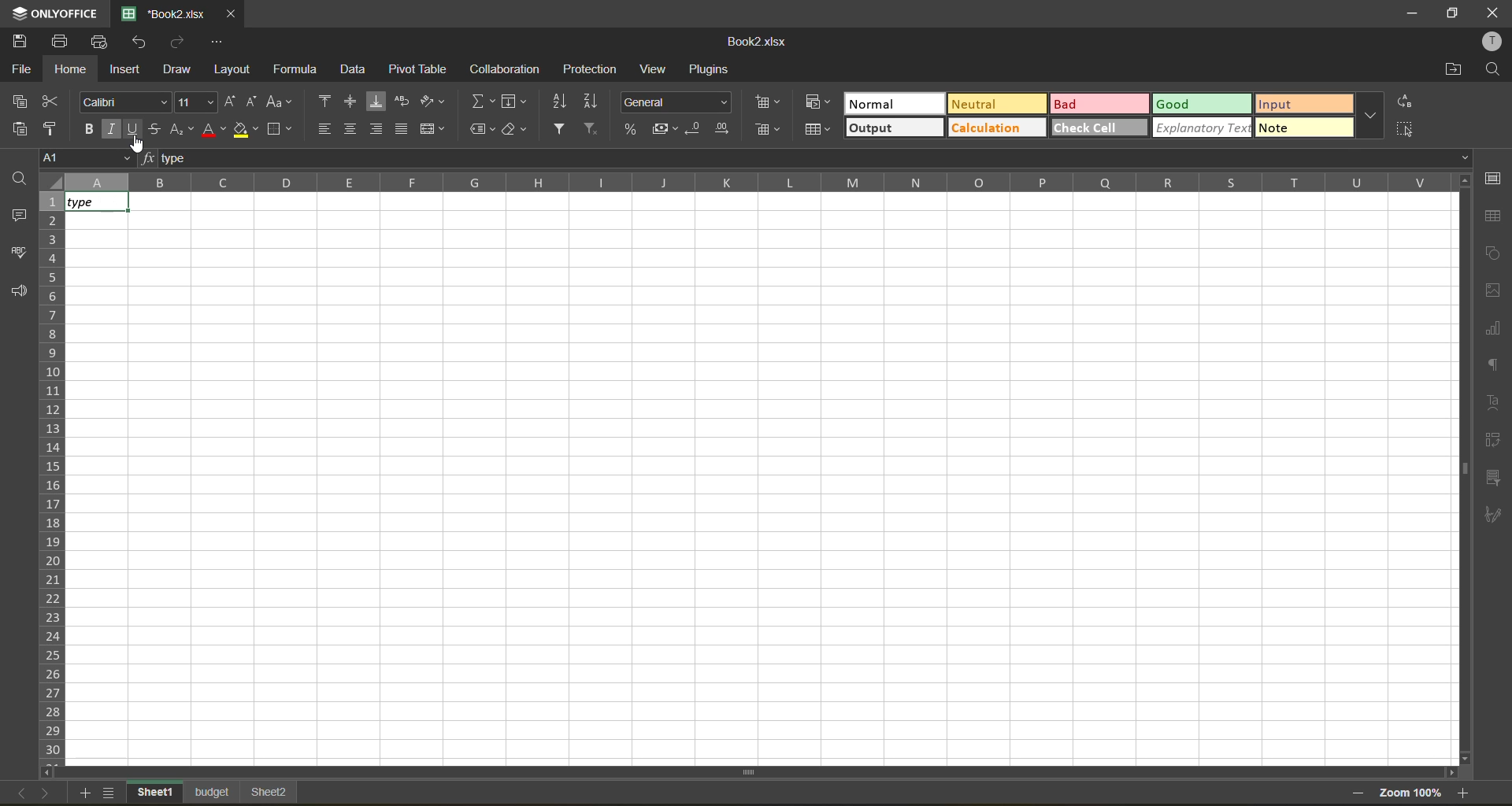 The width and height of the screenshot is (1512, 806). What do you see at coordinates (996, 102) in the screenshot?
I see `neutral` at bounding box center [996, 102].